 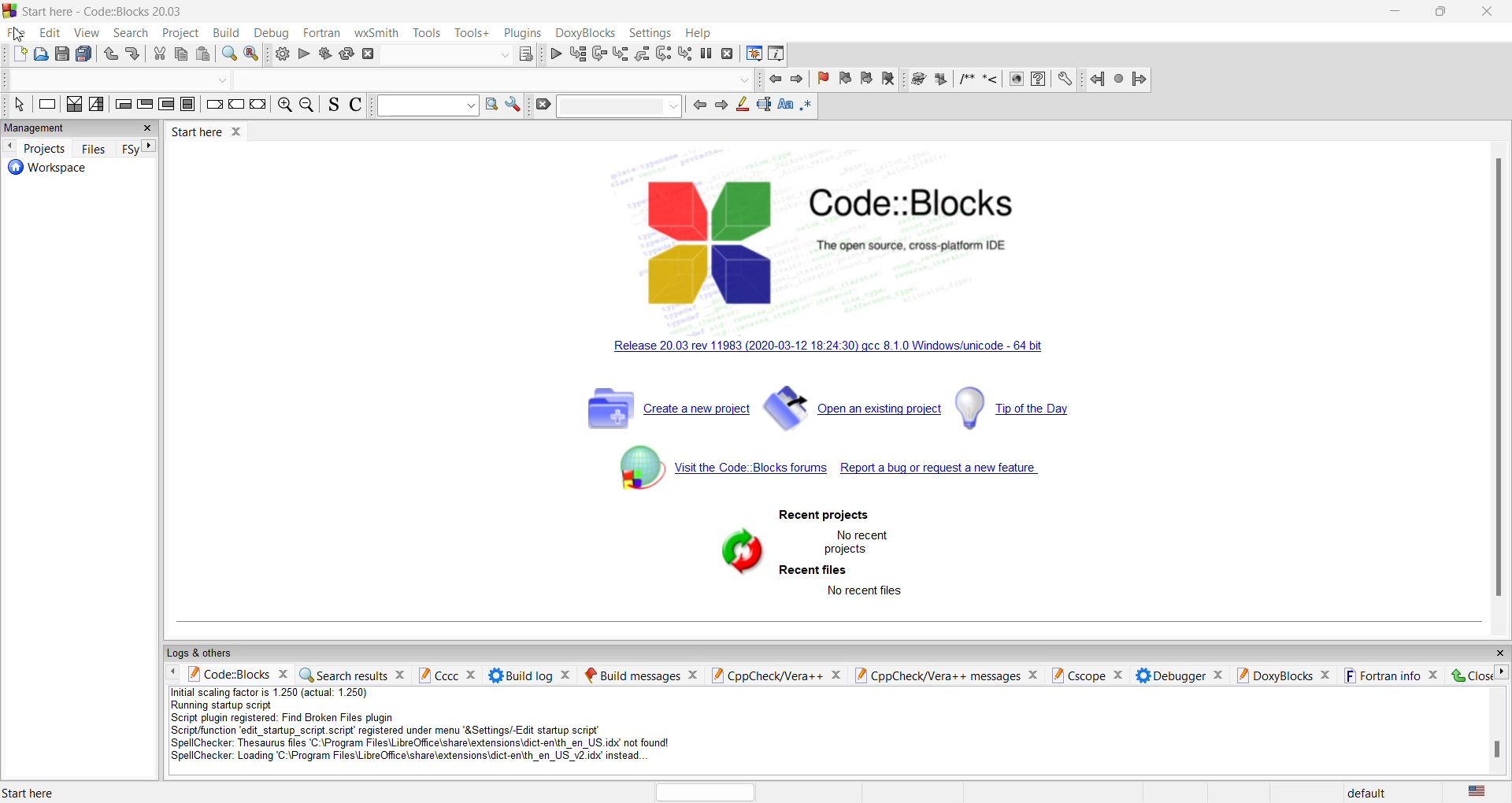 What do you see at coordinates (86, 54) in the screenshot?
I see `save all` at bounding box center [86, 54].